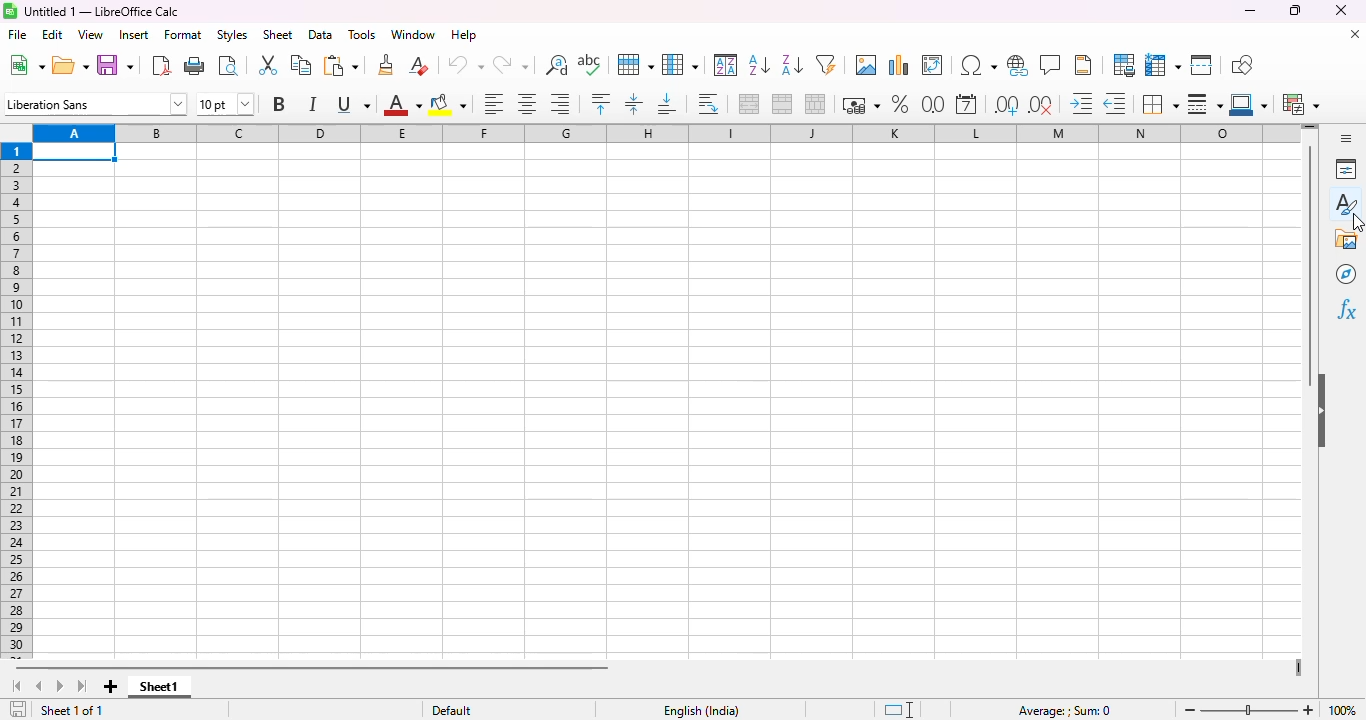 This screenshot has height=720, width=1366. I want to click on zoom factor, so click(1342, 710).